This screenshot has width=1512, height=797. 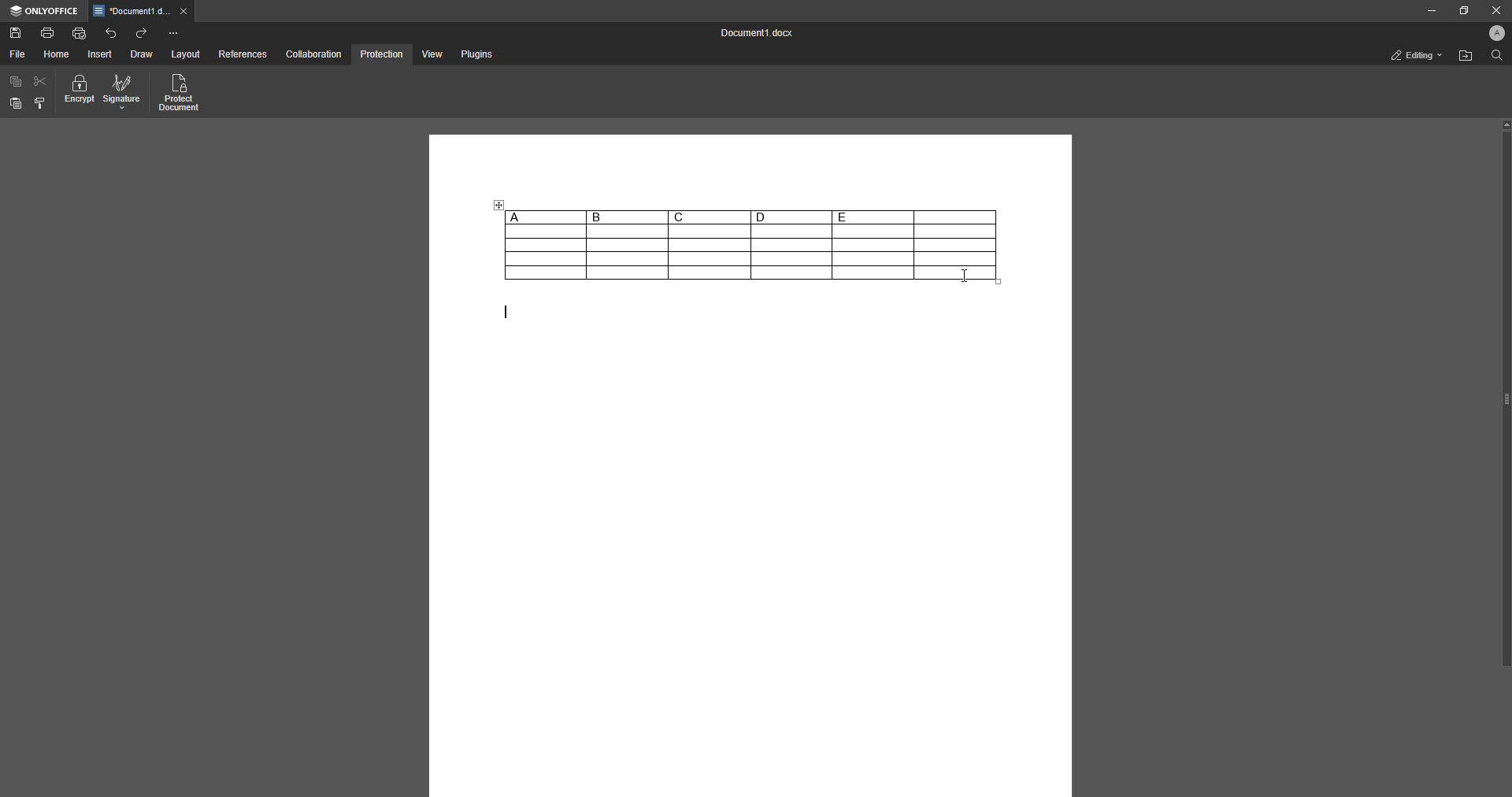 I want to click on Tab 1, so click(x=143, y=12).